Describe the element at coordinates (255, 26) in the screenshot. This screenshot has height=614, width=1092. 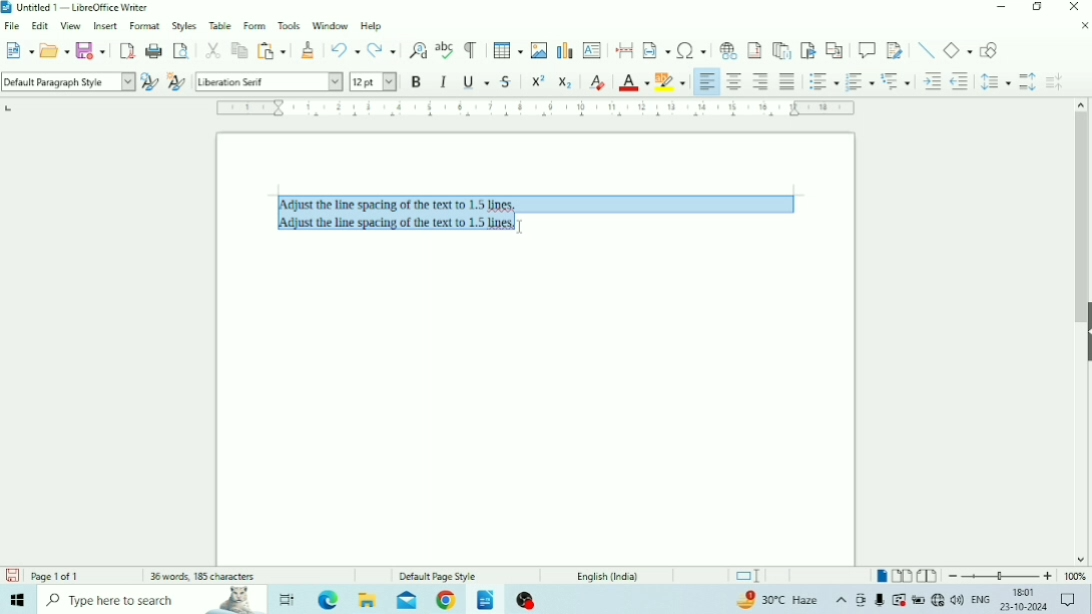
I see `Form` at that location.